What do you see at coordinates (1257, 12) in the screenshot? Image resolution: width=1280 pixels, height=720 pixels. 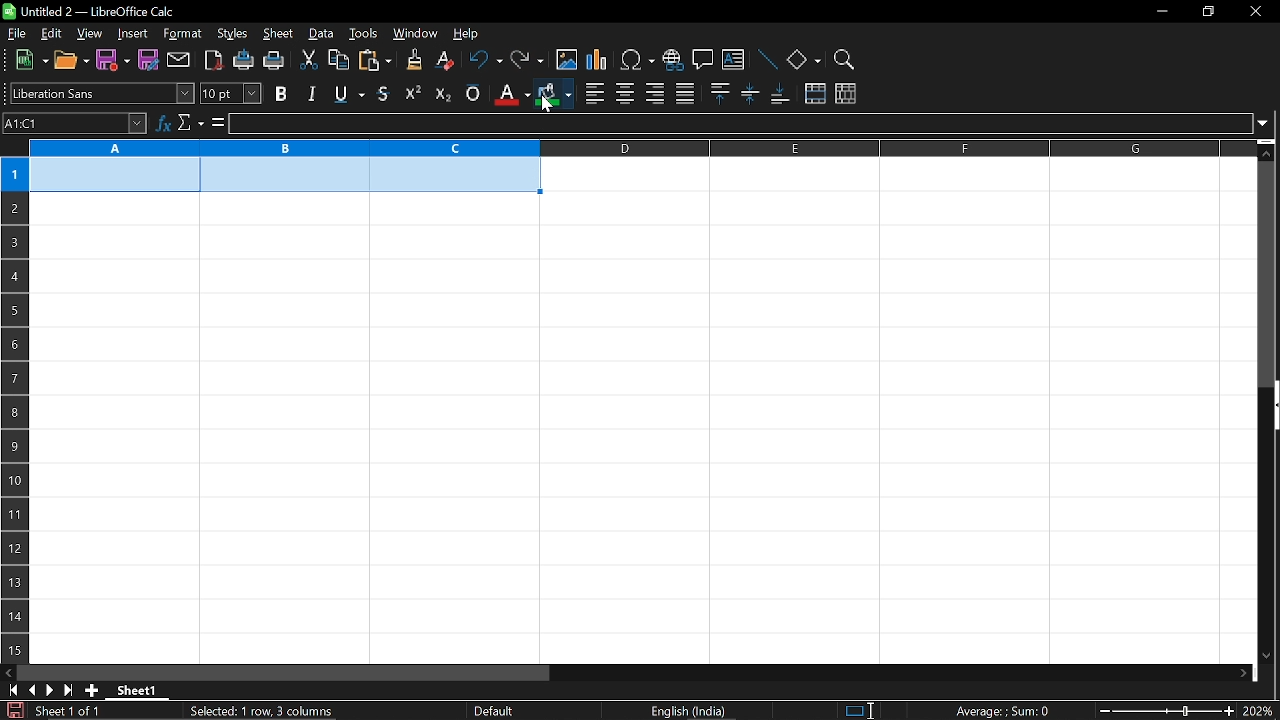 I see `close` at bounding box center [1257, 12].